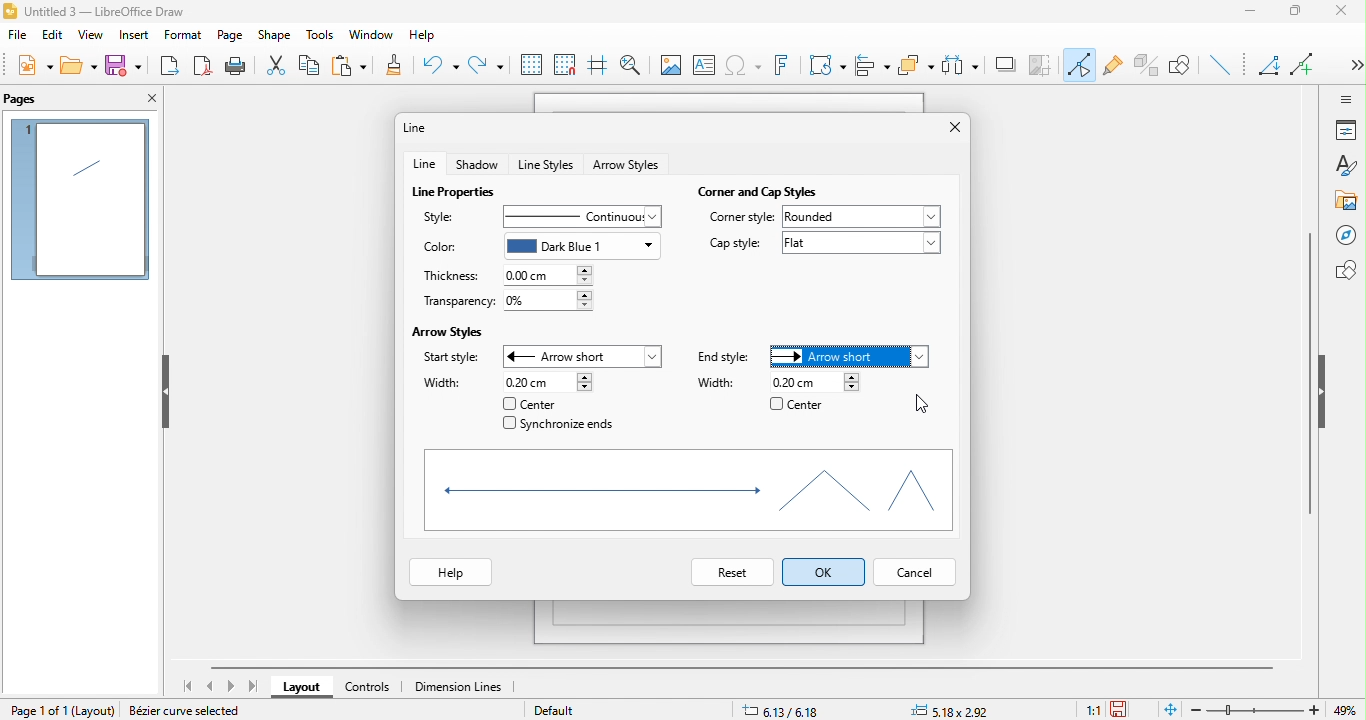 Image resolution: width=1366 pixels, height=720 pixels. What do you see at coordinates (1168, 709) in the screenshot?
I see `fit to the current page` at bounding box center [1168, 709].